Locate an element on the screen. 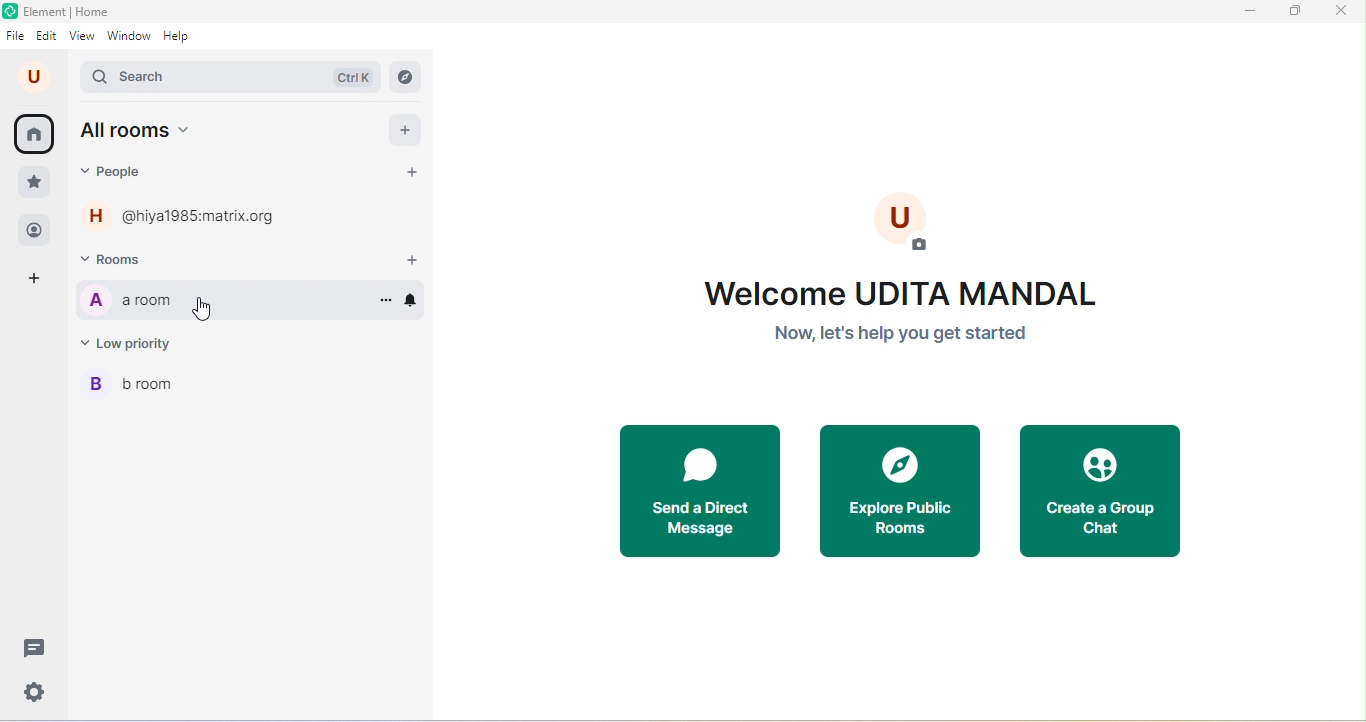  welcome udita mandal now, let's help you get started is located at coordinates (891, 317).